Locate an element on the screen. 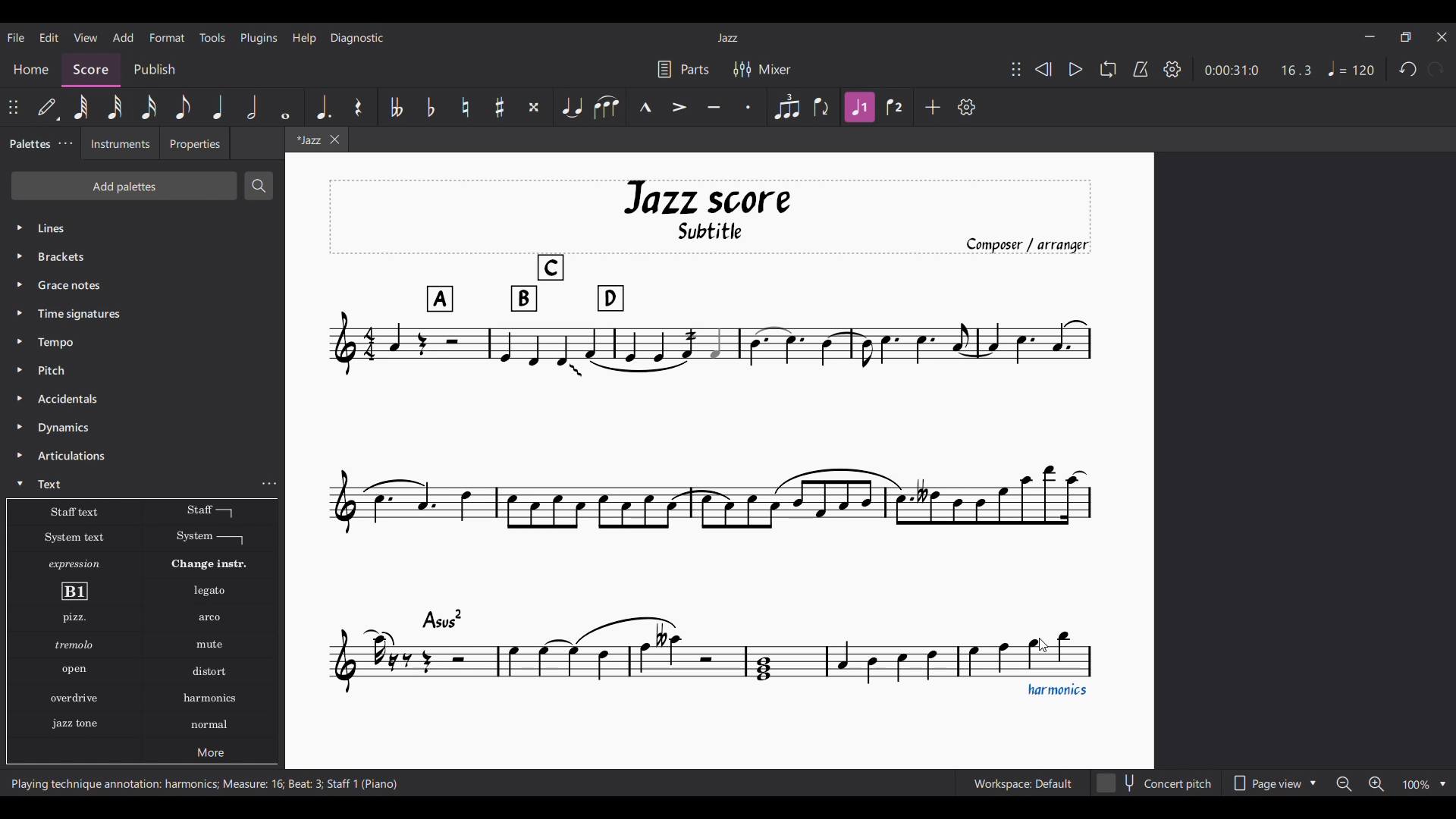 The image size is (1456, 819). View menu is located at coordinates (86, 38).